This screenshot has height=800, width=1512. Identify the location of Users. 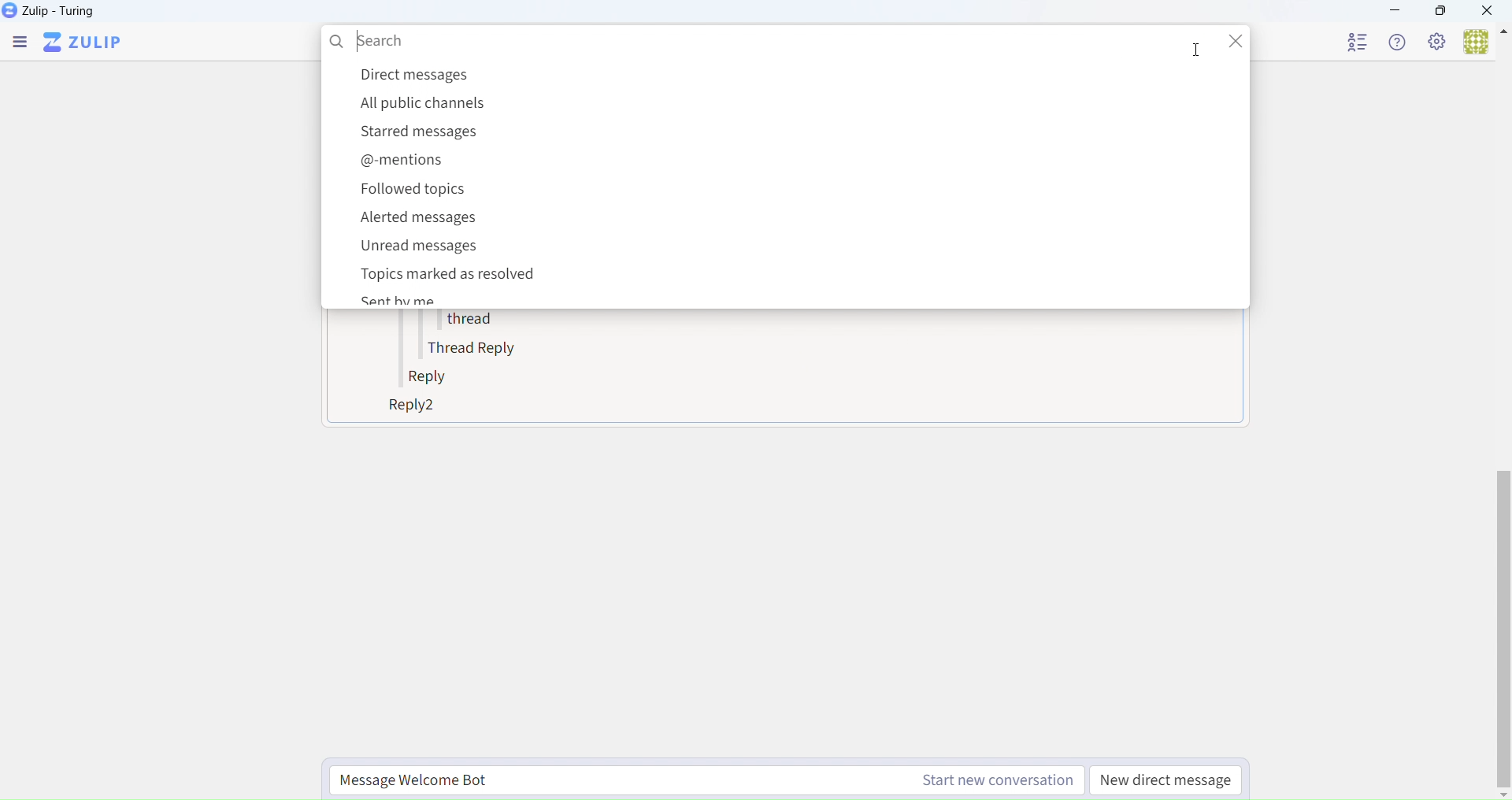
(1484, 43).